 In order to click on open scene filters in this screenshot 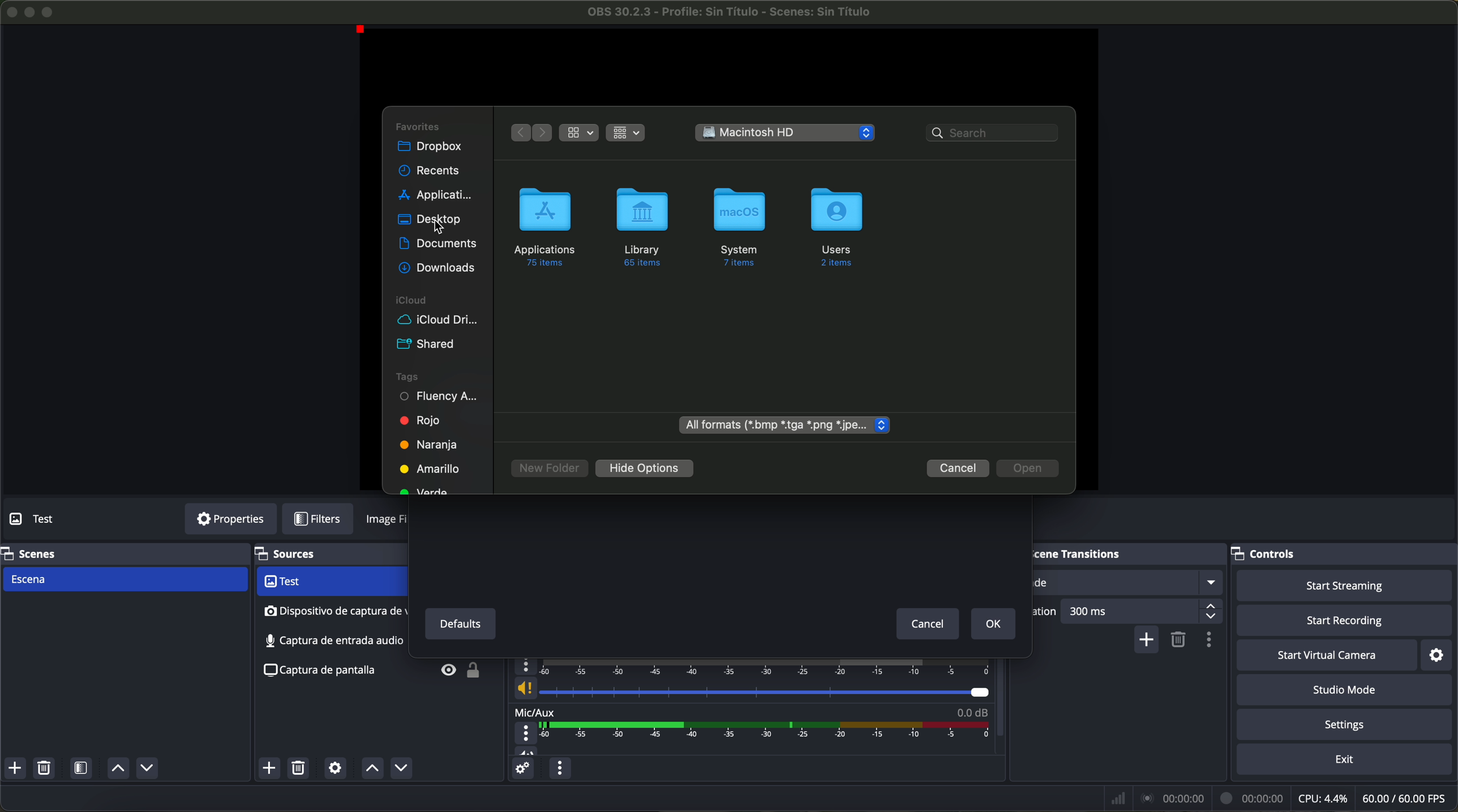, I will do `click(83, 769)`.